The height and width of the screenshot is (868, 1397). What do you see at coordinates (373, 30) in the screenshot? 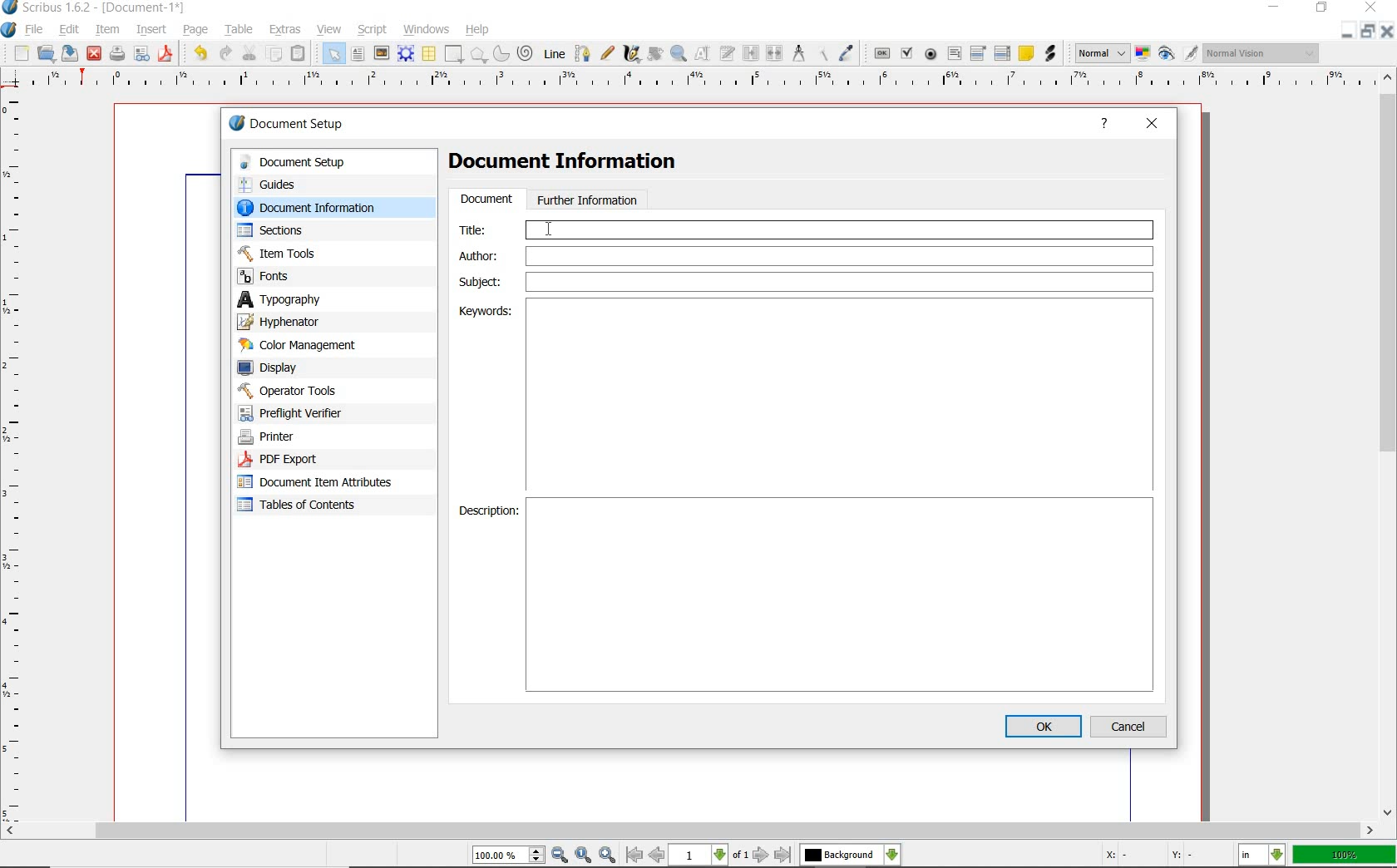
I see `script` at bounding box center [373, 30].